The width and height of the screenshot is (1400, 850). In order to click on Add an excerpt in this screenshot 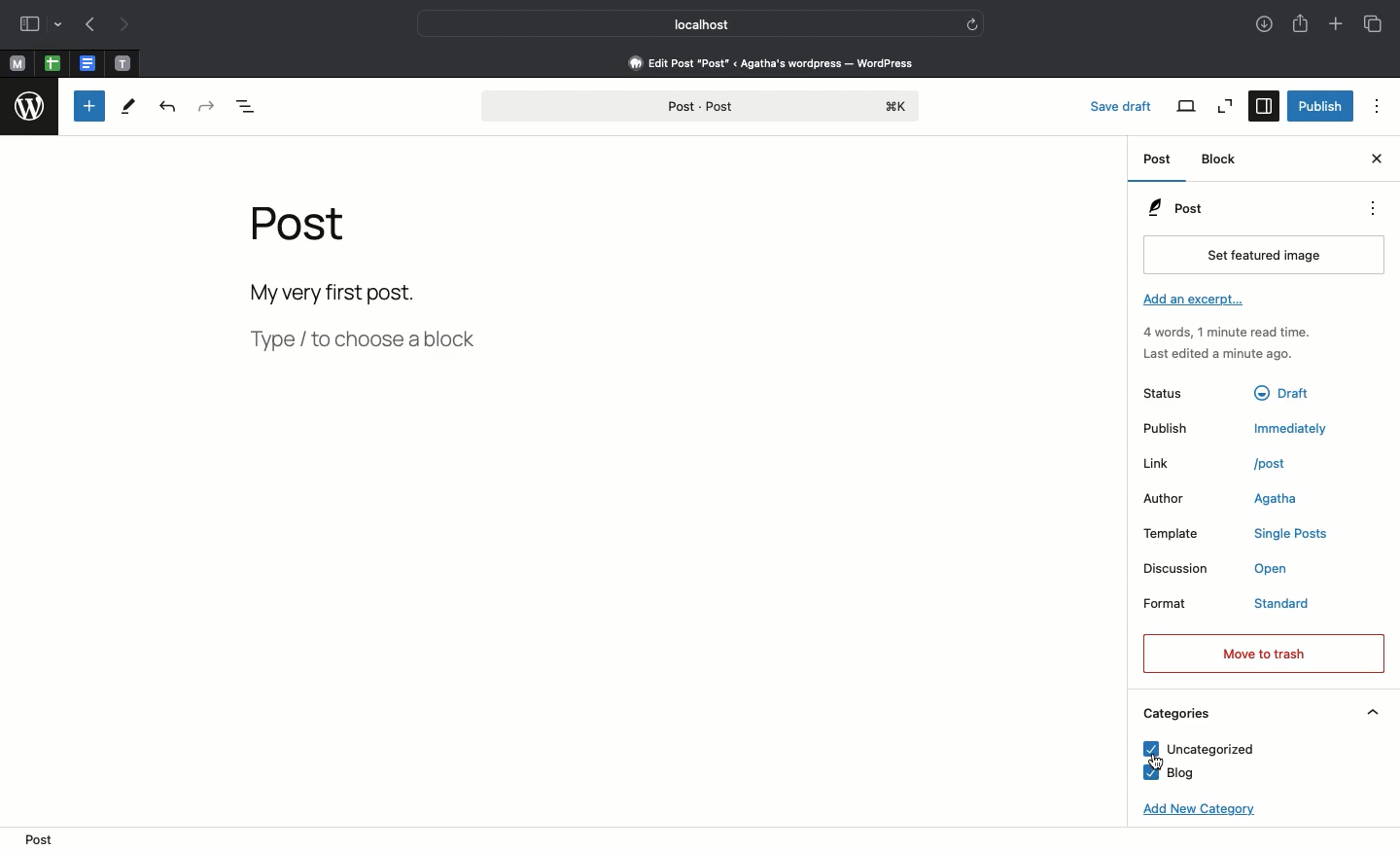, I will do `click(1197, 301)`.